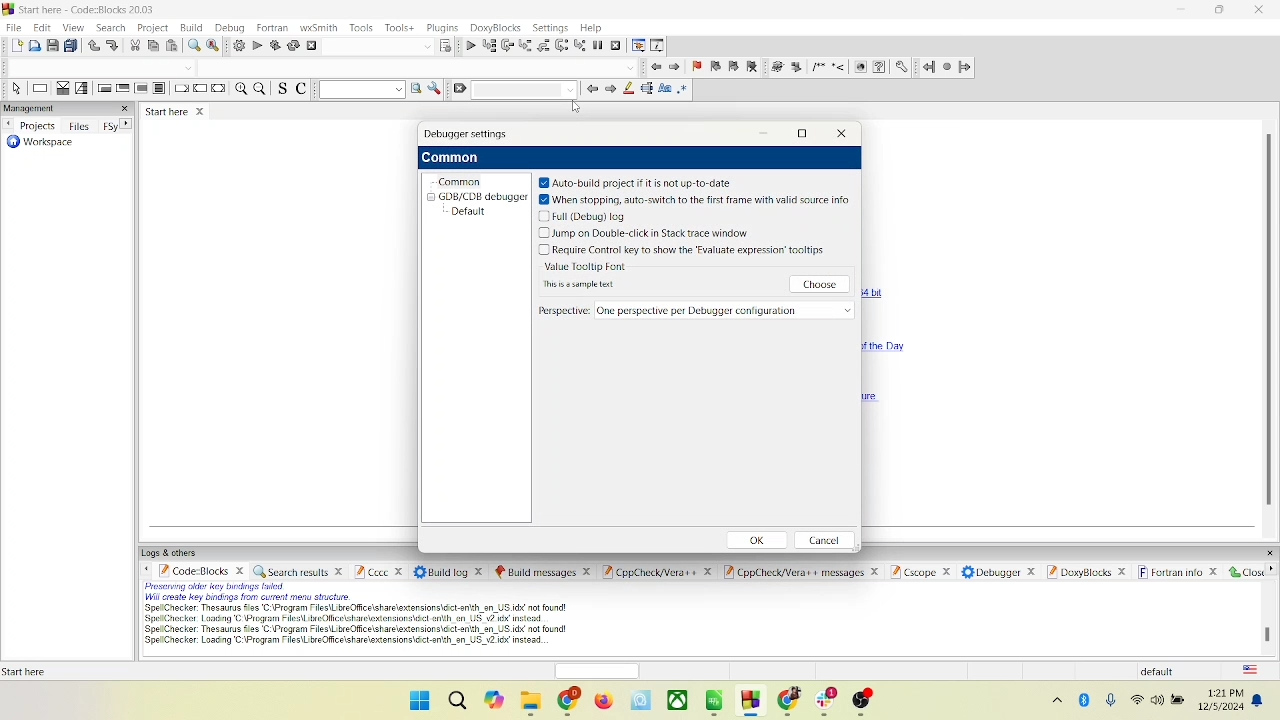 The image size is (1280, 720). I want to click on build, so click(191, 29).